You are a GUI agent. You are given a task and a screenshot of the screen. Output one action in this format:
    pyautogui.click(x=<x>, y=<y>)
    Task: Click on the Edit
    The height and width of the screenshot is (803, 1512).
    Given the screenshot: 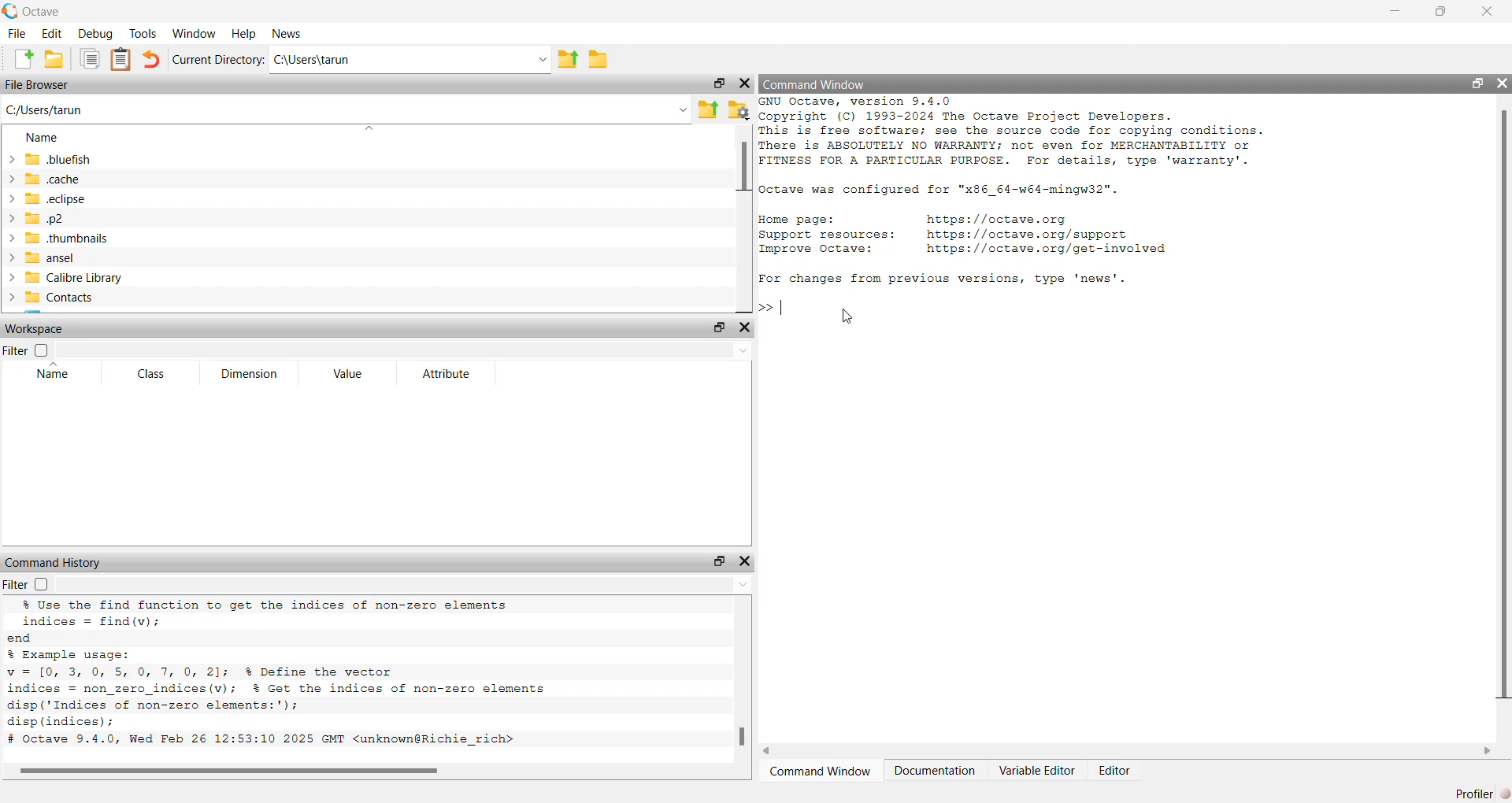 What is the action you would take?
    pyautogui.click(x=51, y=34)
    